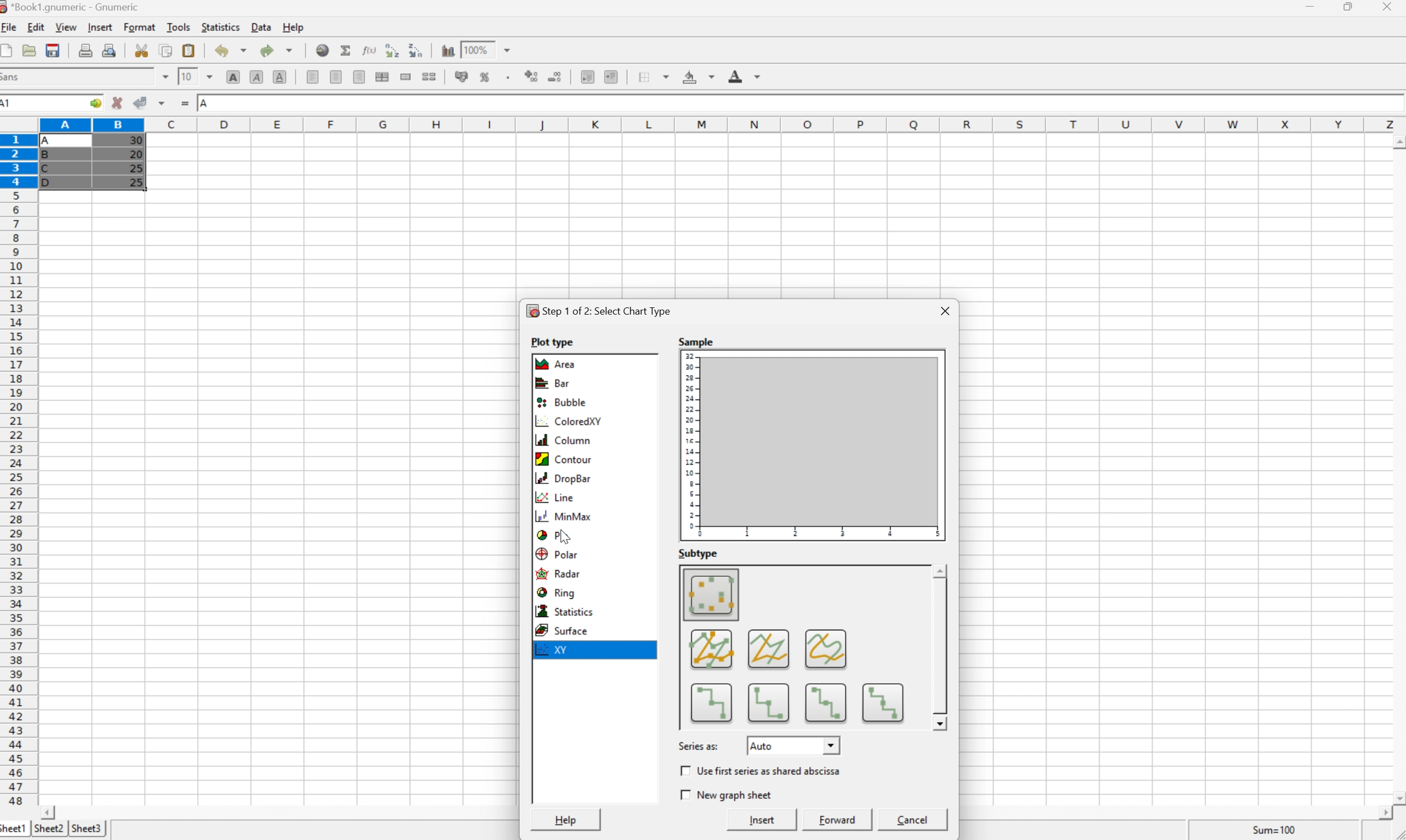  What do you see at coordinates (29, 50) in the screenshot?
I see `Open a file` at bounding box center [29, 50].